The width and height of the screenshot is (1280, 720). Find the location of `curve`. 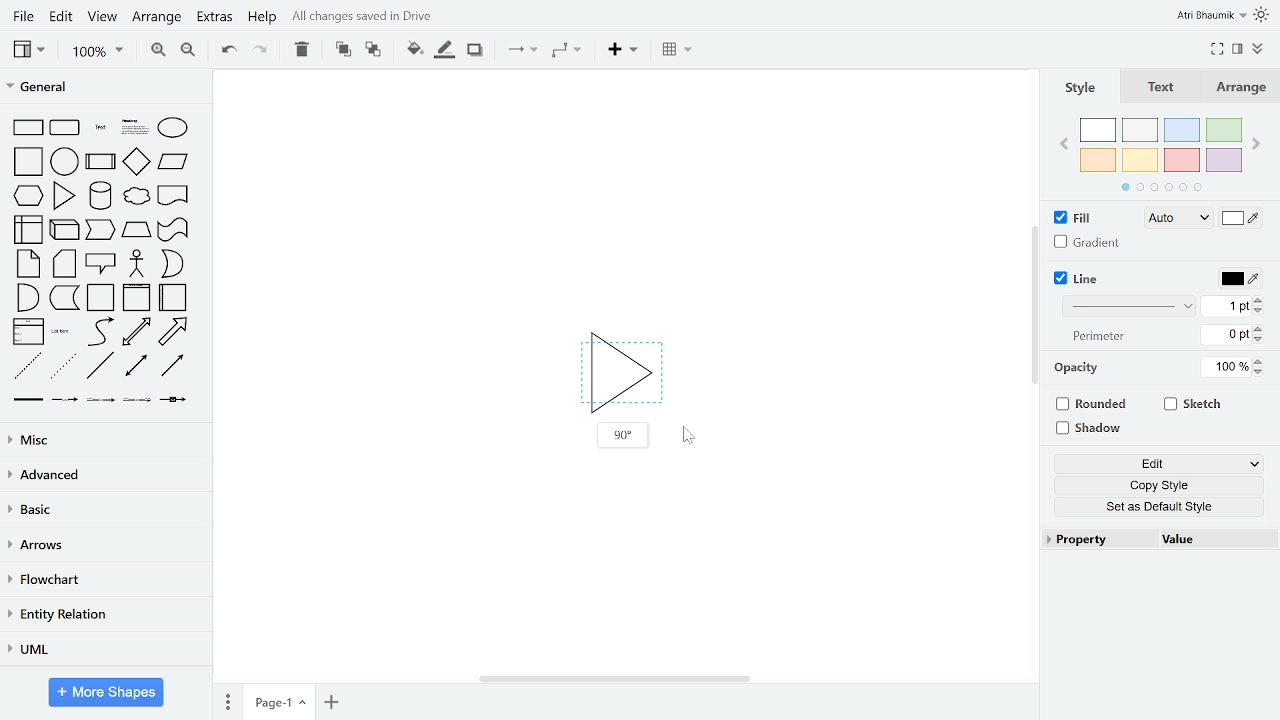

curve is located at coordinates (98, 332).